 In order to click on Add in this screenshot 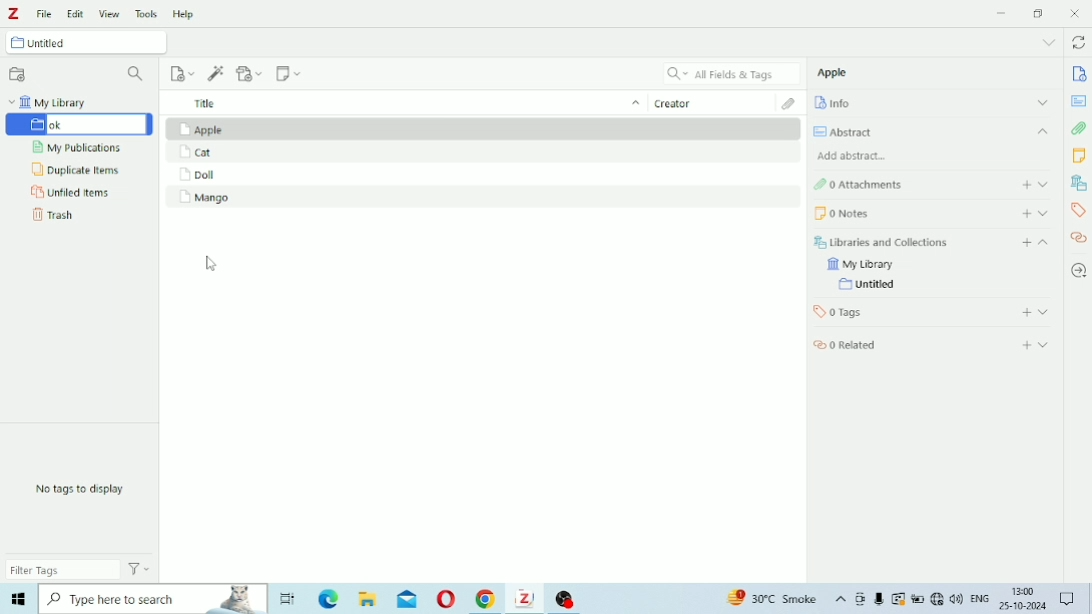, I will do `click(1026, 185)`.